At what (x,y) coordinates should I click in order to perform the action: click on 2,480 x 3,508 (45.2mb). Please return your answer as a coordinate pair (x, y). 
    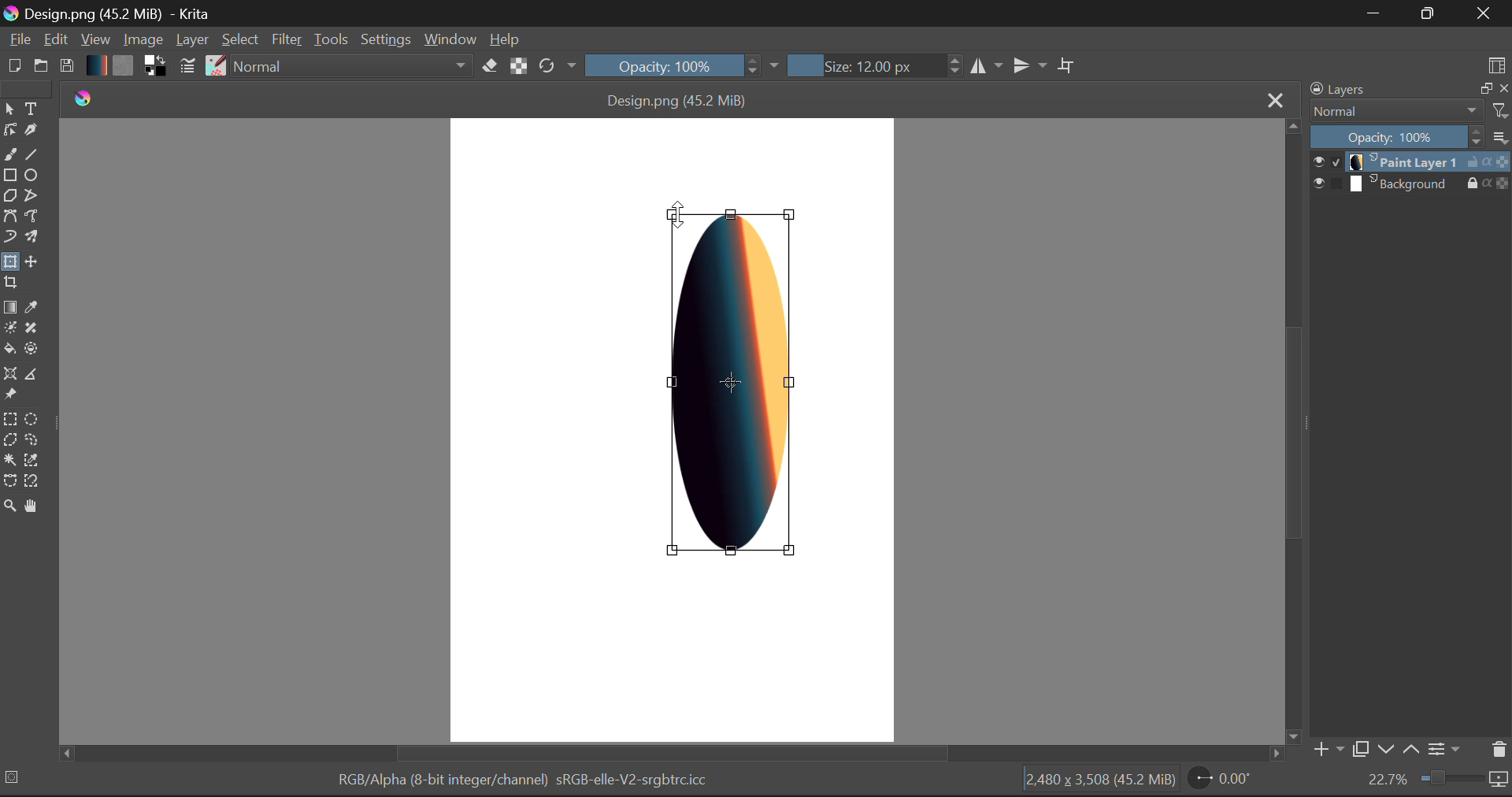
    Looking at the image, I should click on (1099, 782).